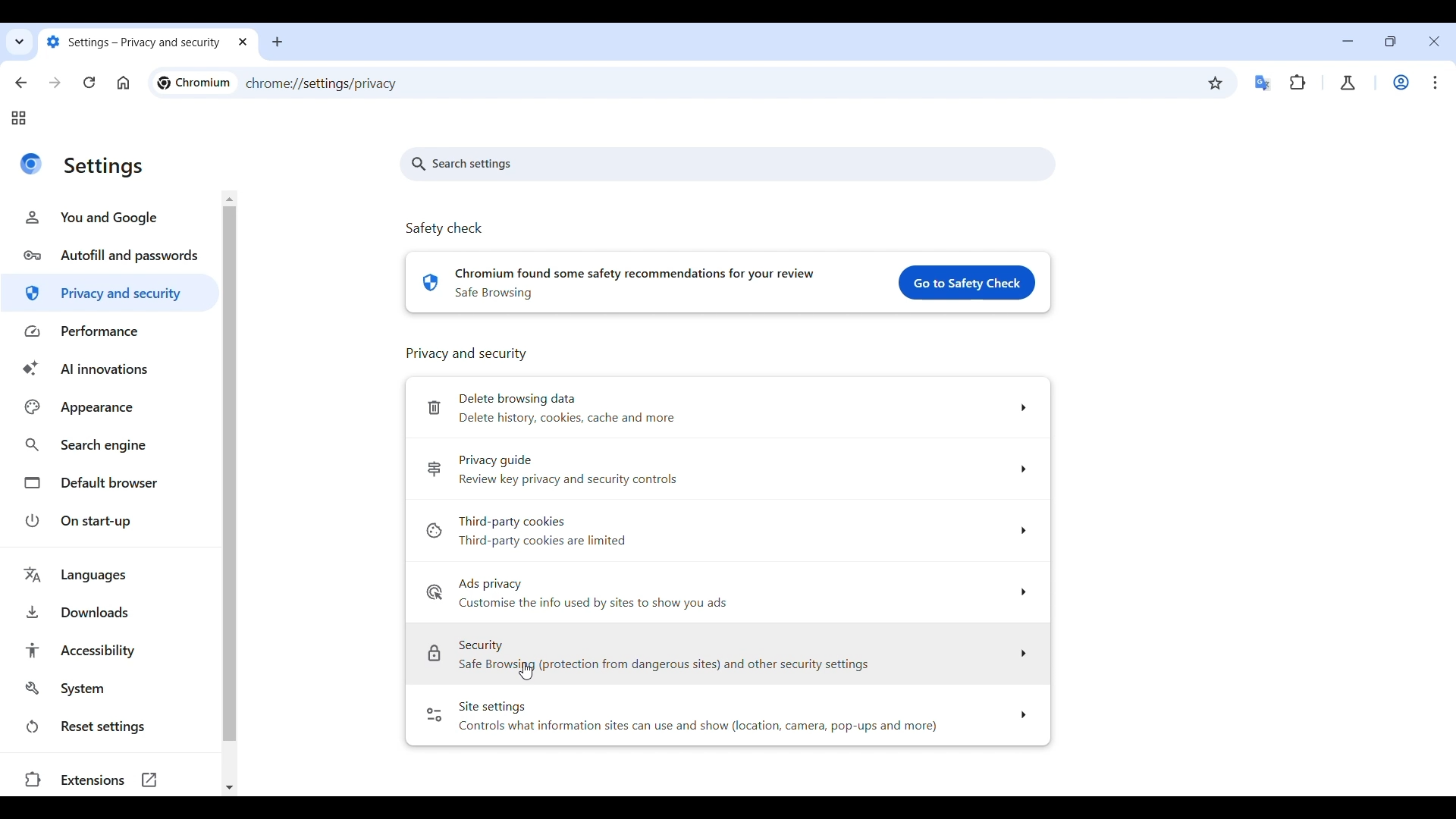 The width and height of the screenshot is (1456, 819). I want to click on AI innovations, so click(111, 369).